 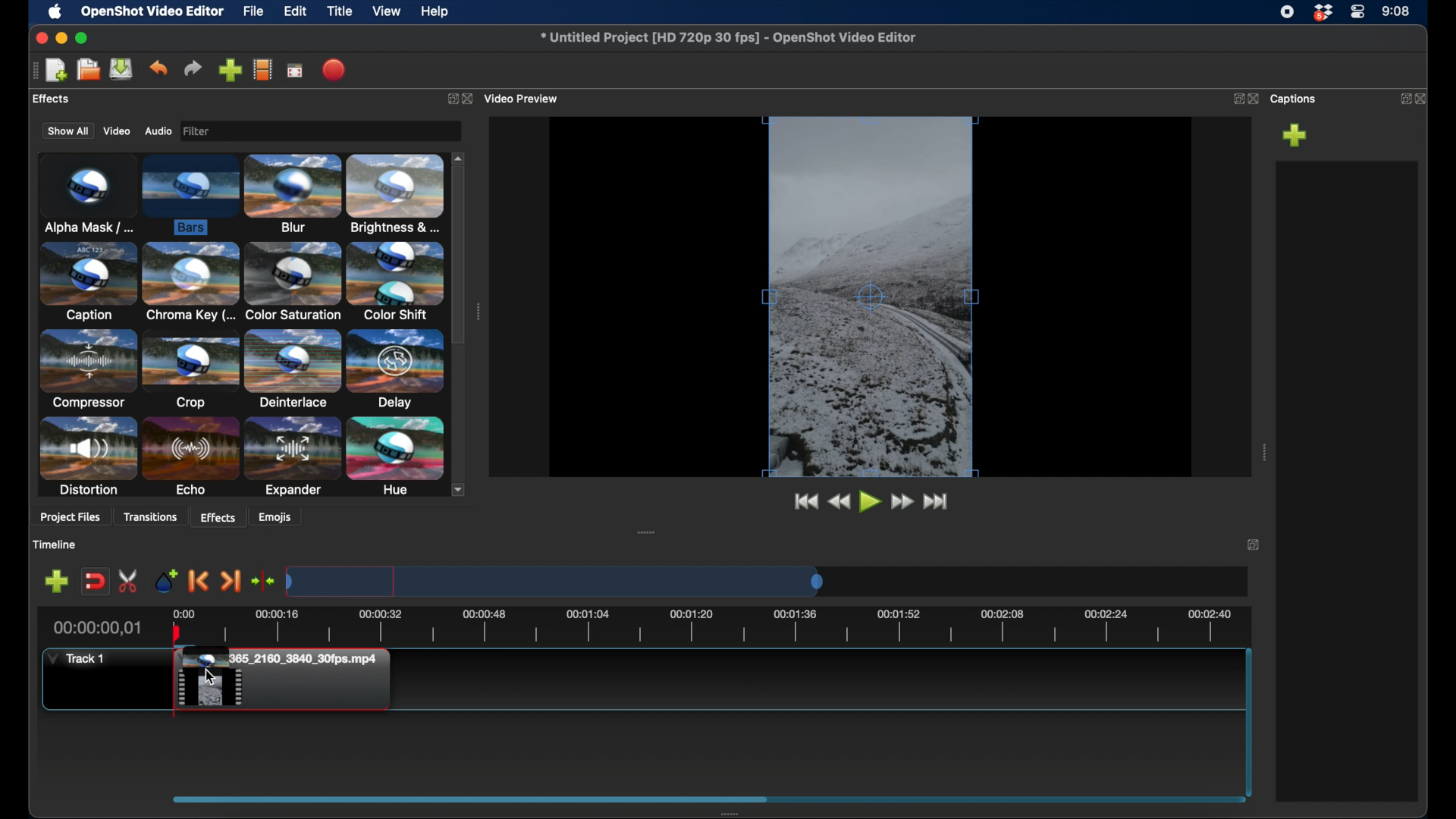 What do you see at coordinates (158, 131) in the screenshot?
I see `audio` at bounding box center [158, 131].